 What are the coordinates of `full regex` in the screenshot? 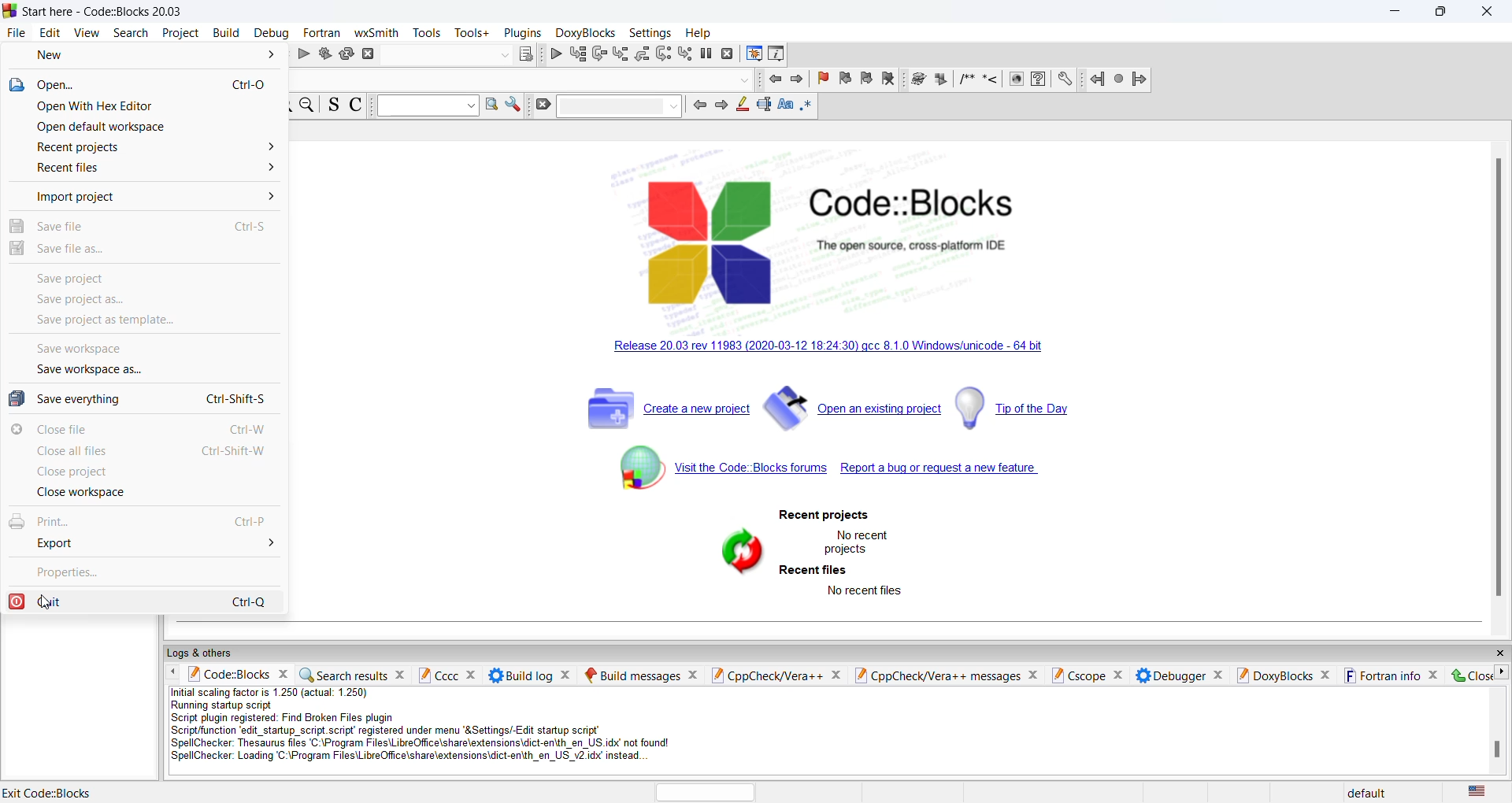 It's located at (806, 109).